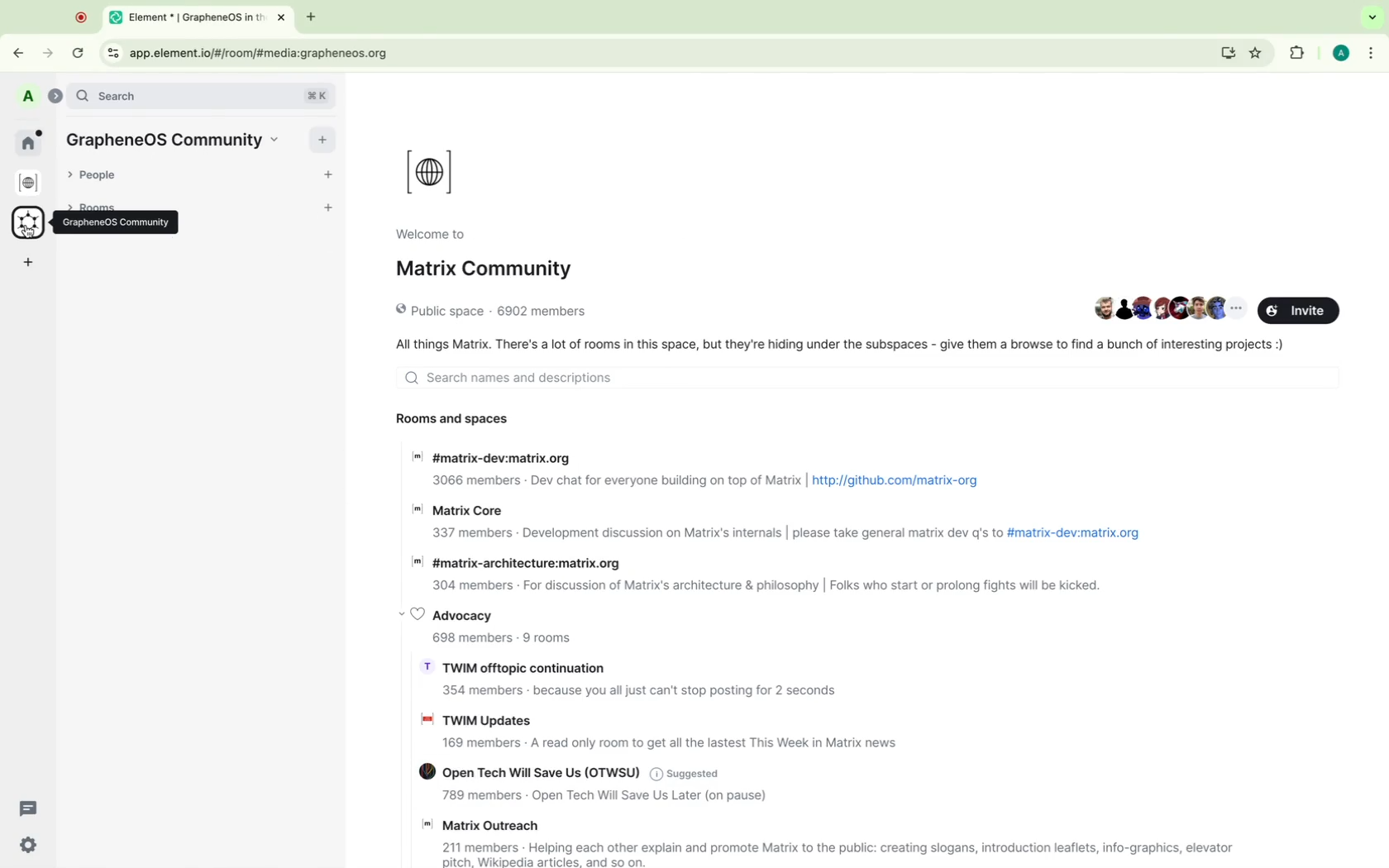 The image size is (1389, 868). I want to click on 189 members - A read only room to get all the latest this week in matrix news, so click(668, 746).